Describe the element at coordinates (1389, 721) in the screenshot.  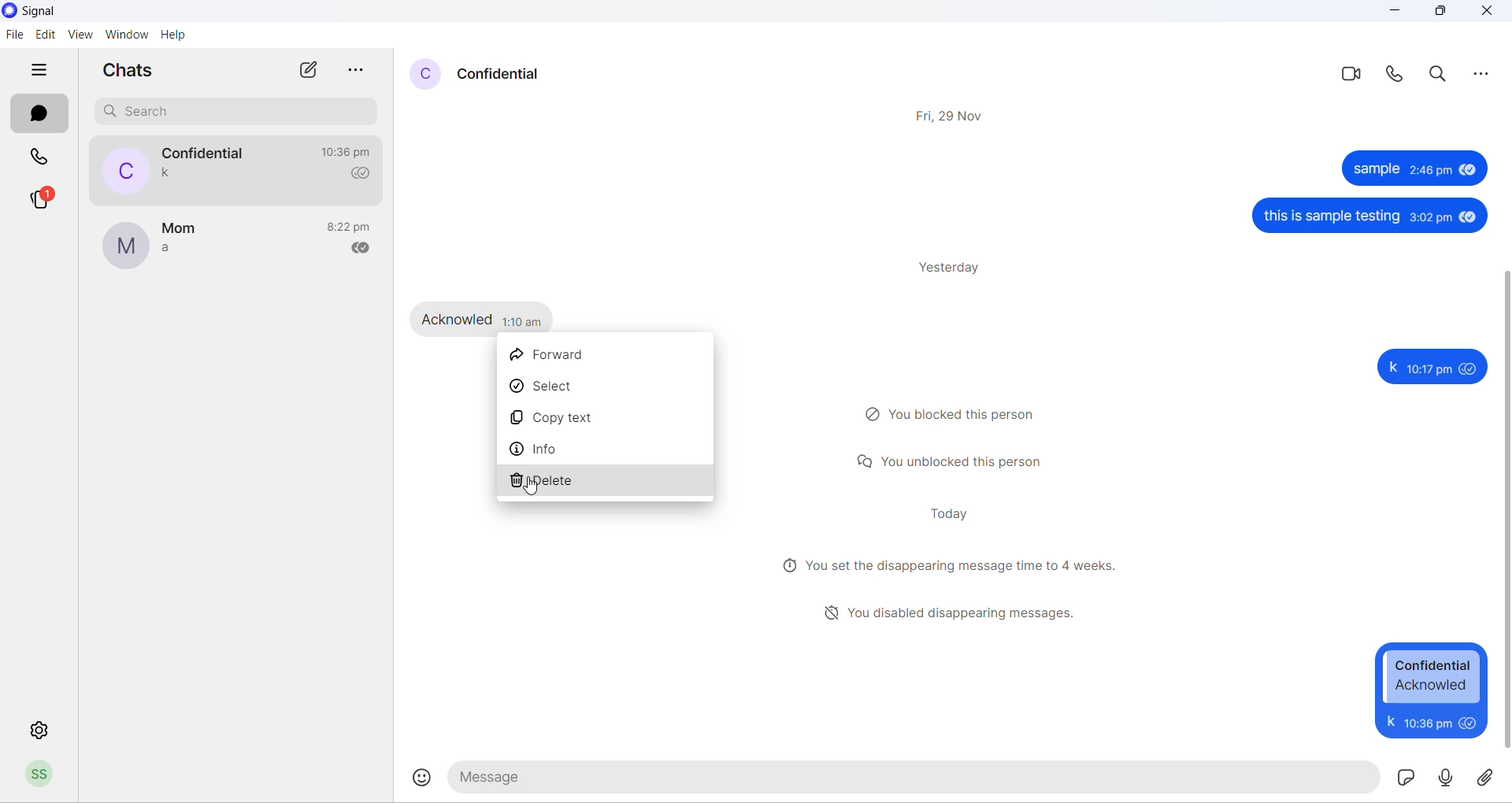
I see `k` at that location.